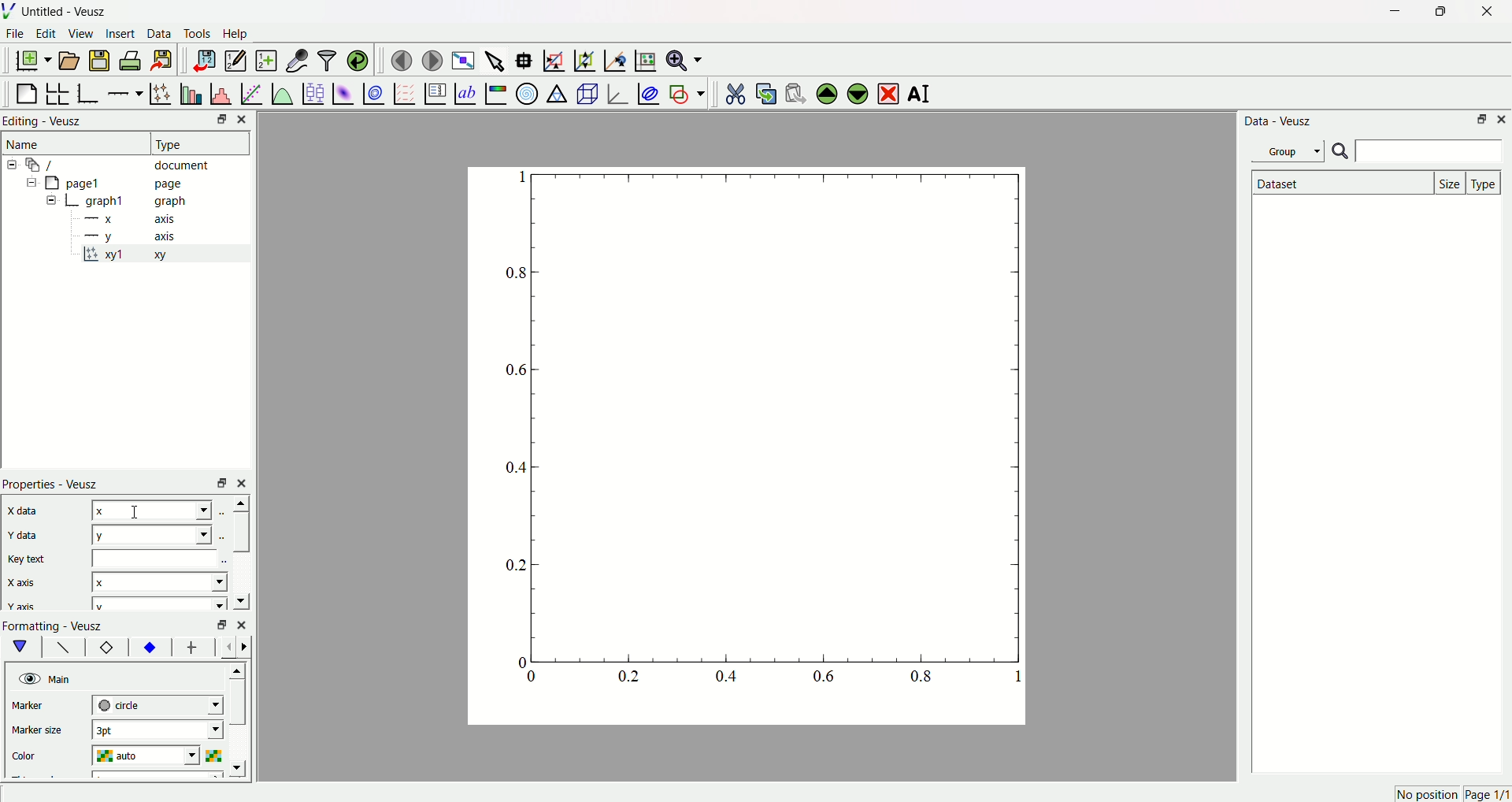 The width and height of the screenshot is (1512, 802). What do you see at coordinates (582, 58) in the screenshot?
I see `zoom the graph axes` at bounding box center [582, 58].